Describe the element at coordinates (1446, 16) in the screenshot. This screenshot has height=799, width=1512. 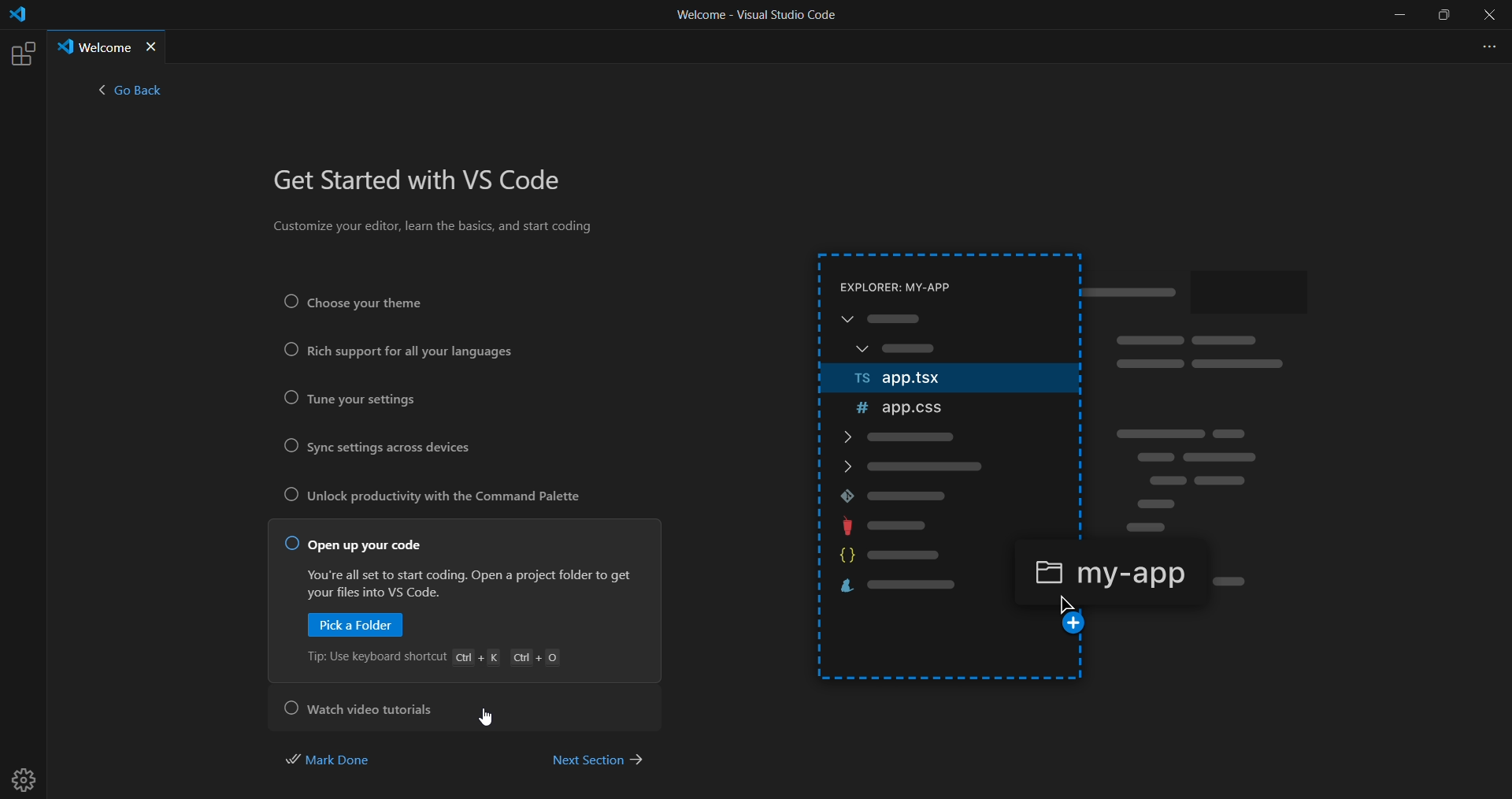
I see `maximize` at that location.